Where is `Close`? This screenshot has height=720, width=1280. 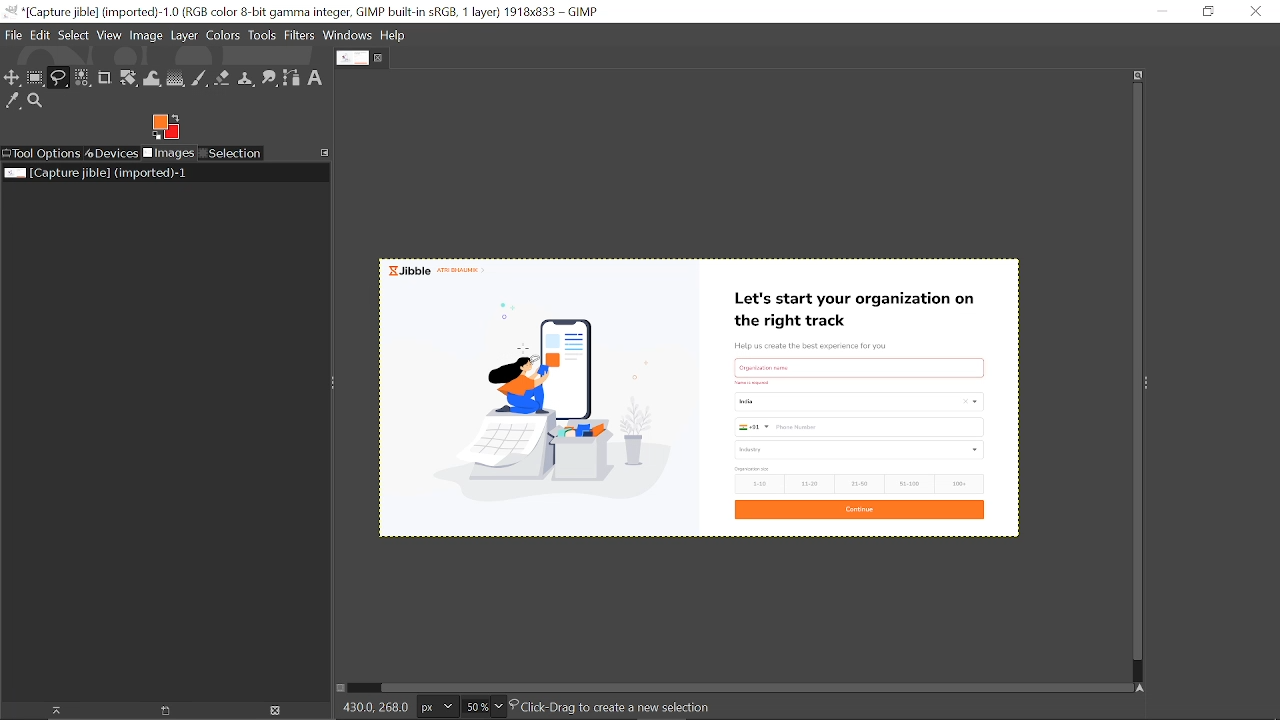
Close is located at coordinates (1256, 11).